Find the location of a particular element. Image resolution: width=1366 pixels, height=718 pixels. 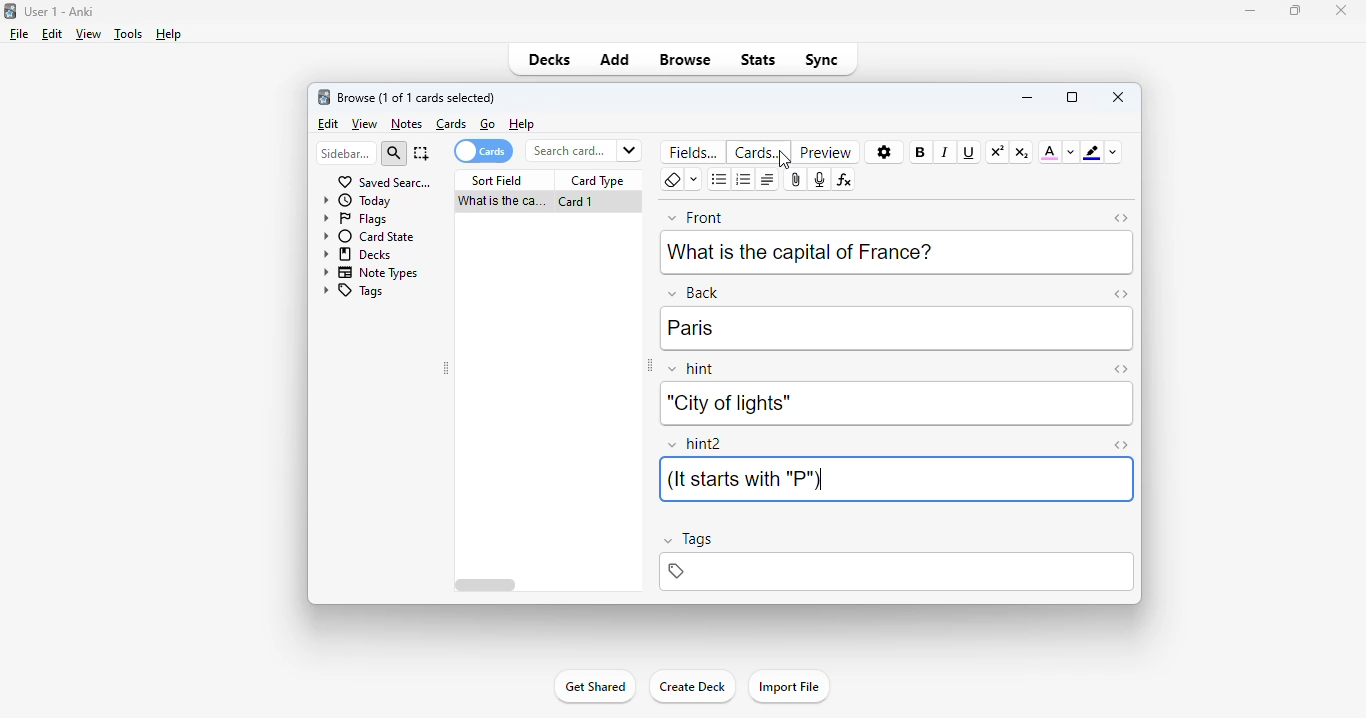

minimize is located at coordinates (1251, 10).